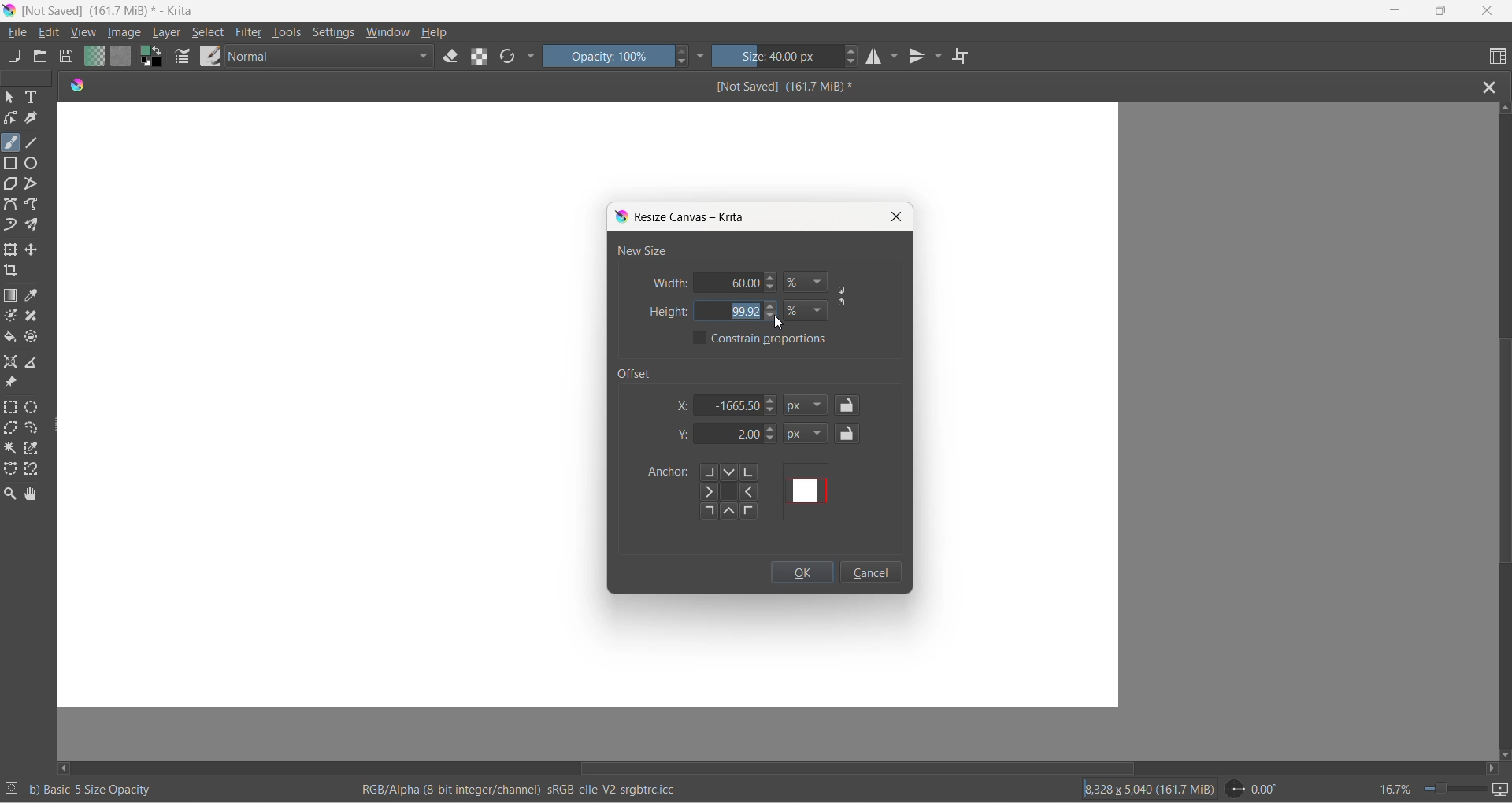 This screenshot has width=1512, height=803. I want to click on size, so click(778, 57).